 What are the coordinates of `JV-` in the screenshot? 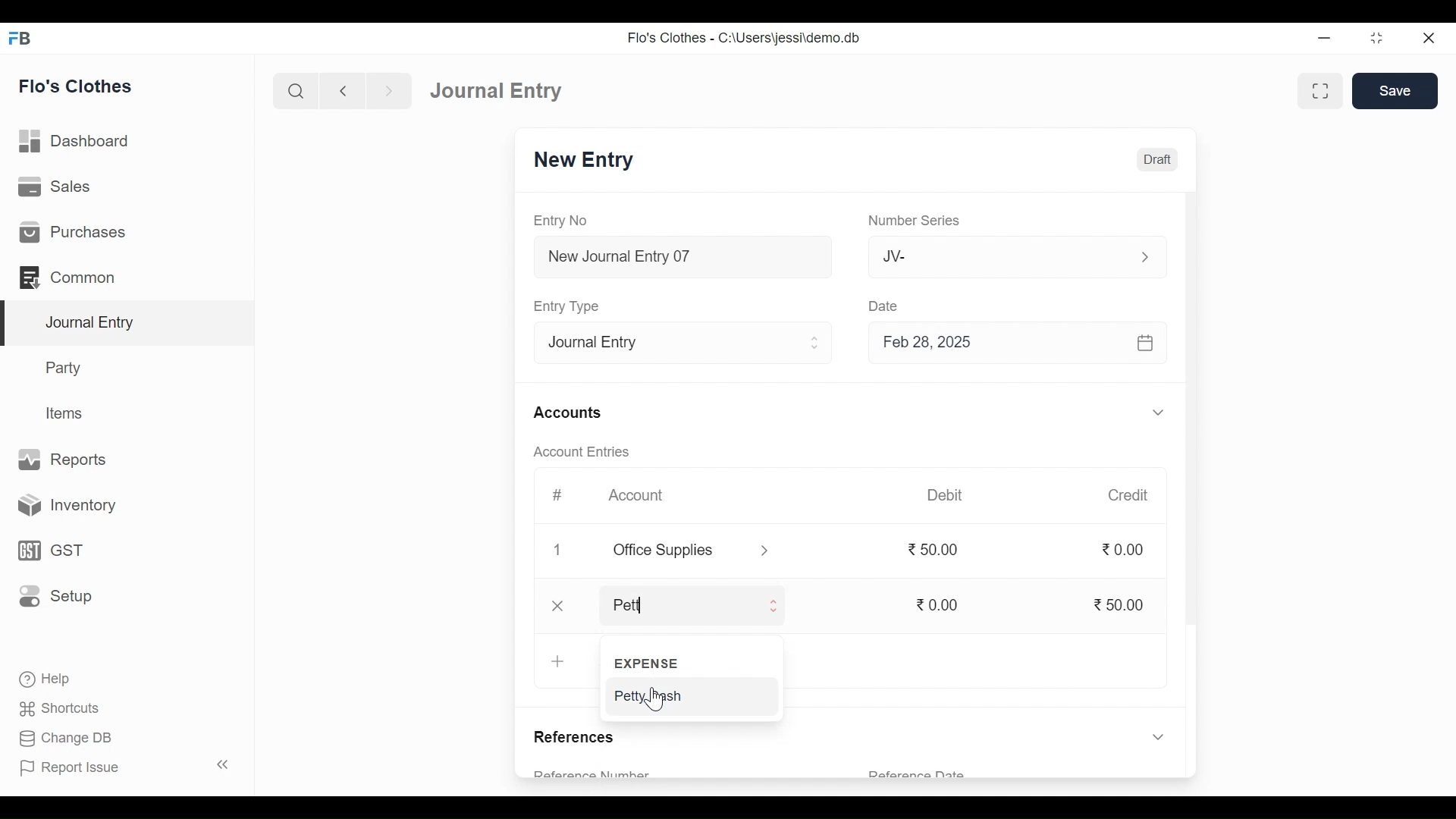 It's located at (990, 257).